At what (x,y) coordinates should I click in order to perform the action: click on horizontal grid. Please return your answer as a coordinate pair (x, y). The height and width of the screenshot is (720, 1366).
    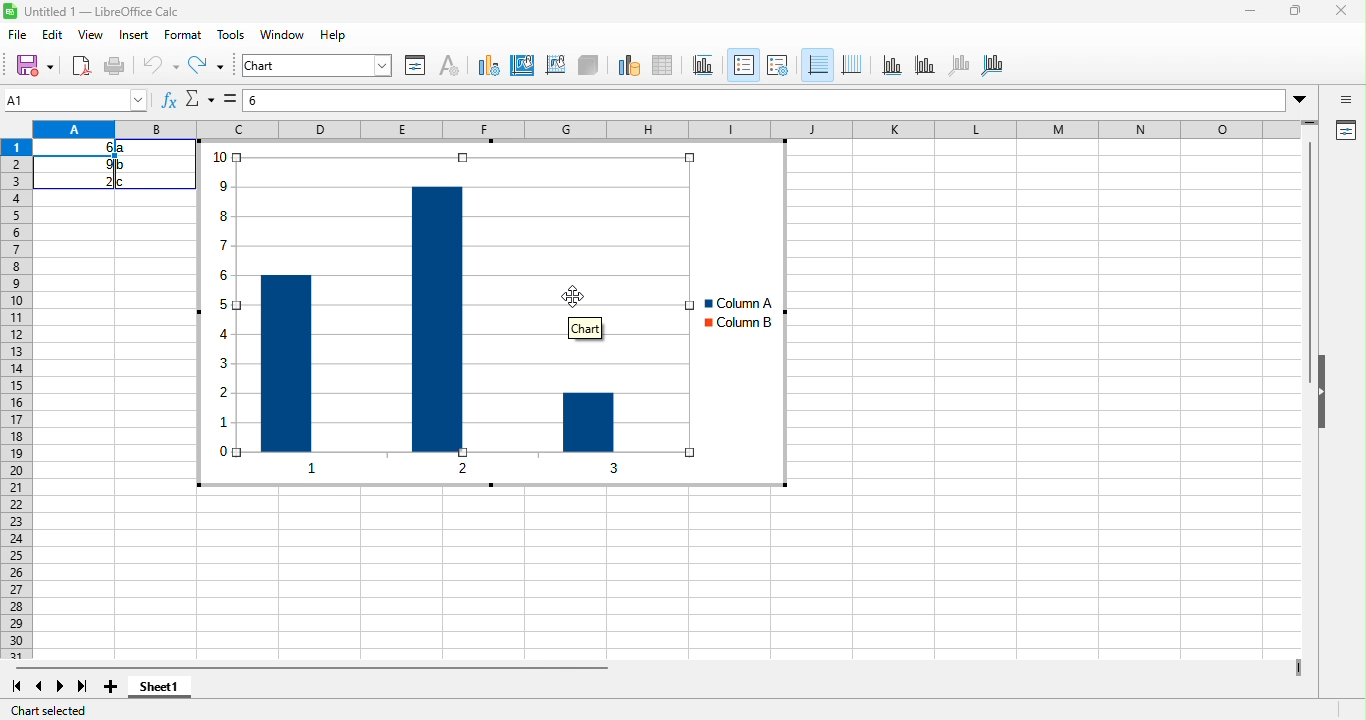
    Looking at the image, I should click on (818, 62).